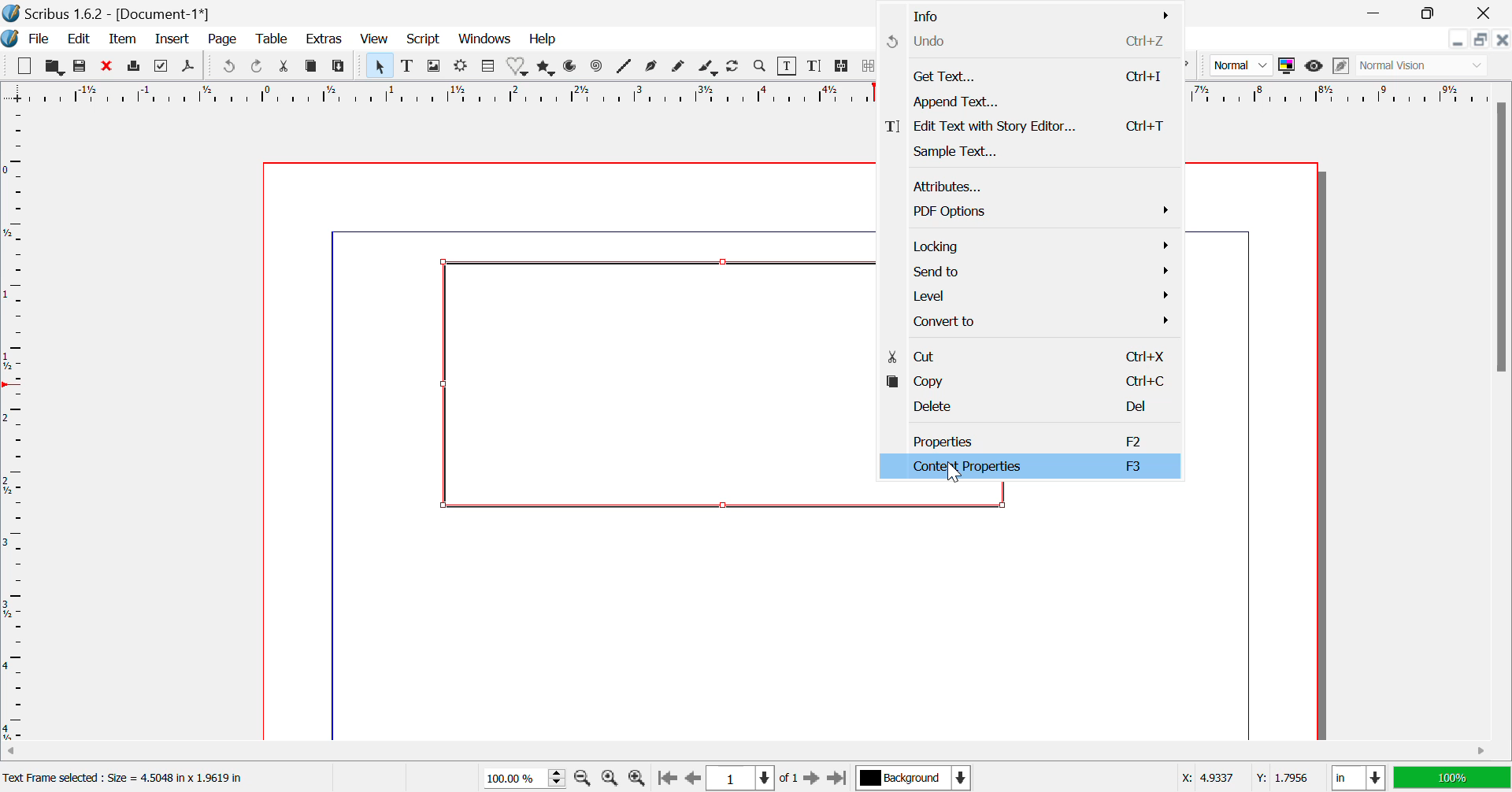  Describe the element at coordinates (134, 68) in the screenshot. I see `Print` at that location.